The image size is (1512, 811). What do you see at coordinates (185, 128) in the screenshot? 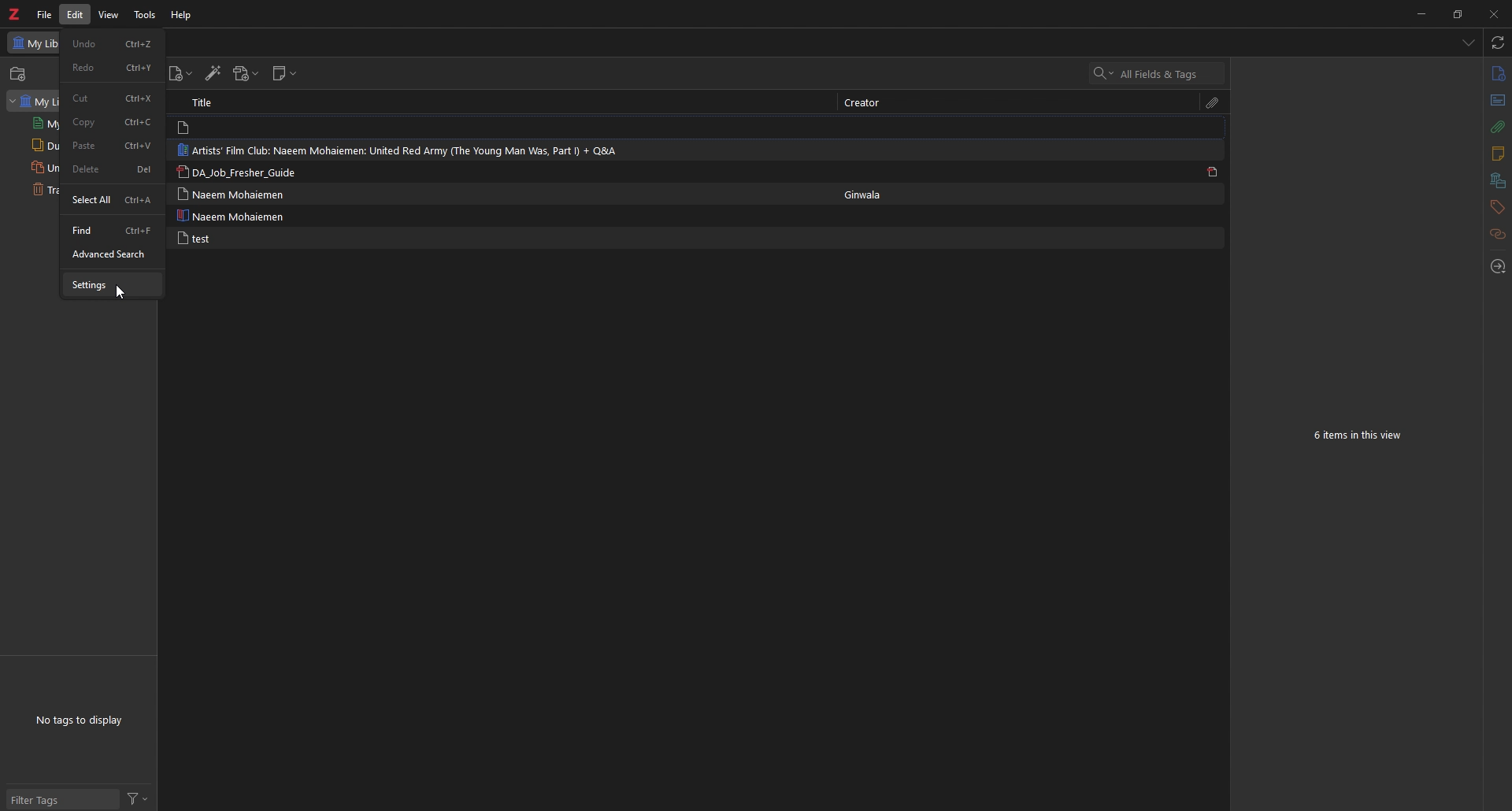
I see `file logo` at bounding box center [185, 128].